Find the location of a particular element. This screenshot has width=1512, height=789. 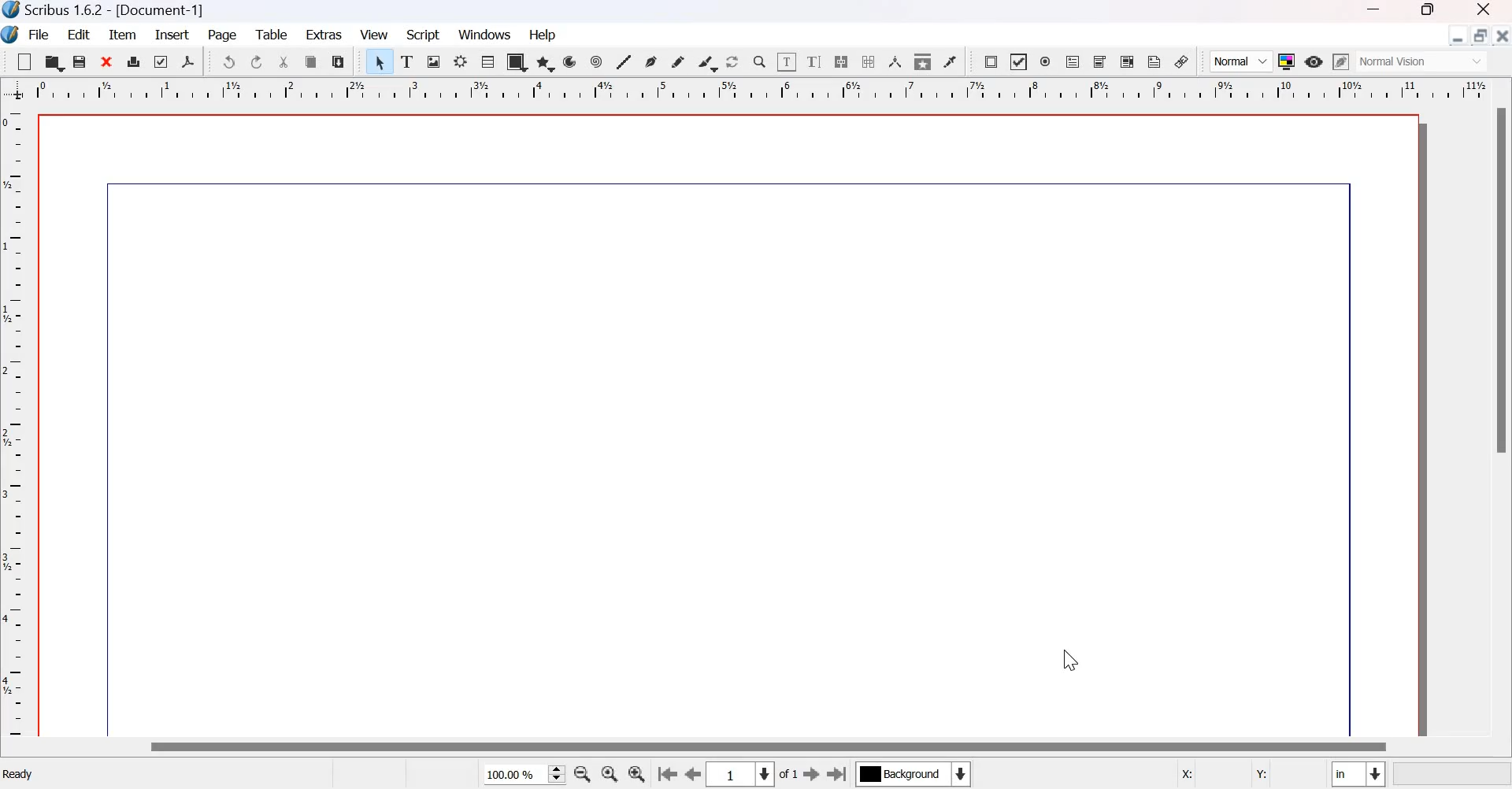

of 1 is located at coordinates (789, 775).